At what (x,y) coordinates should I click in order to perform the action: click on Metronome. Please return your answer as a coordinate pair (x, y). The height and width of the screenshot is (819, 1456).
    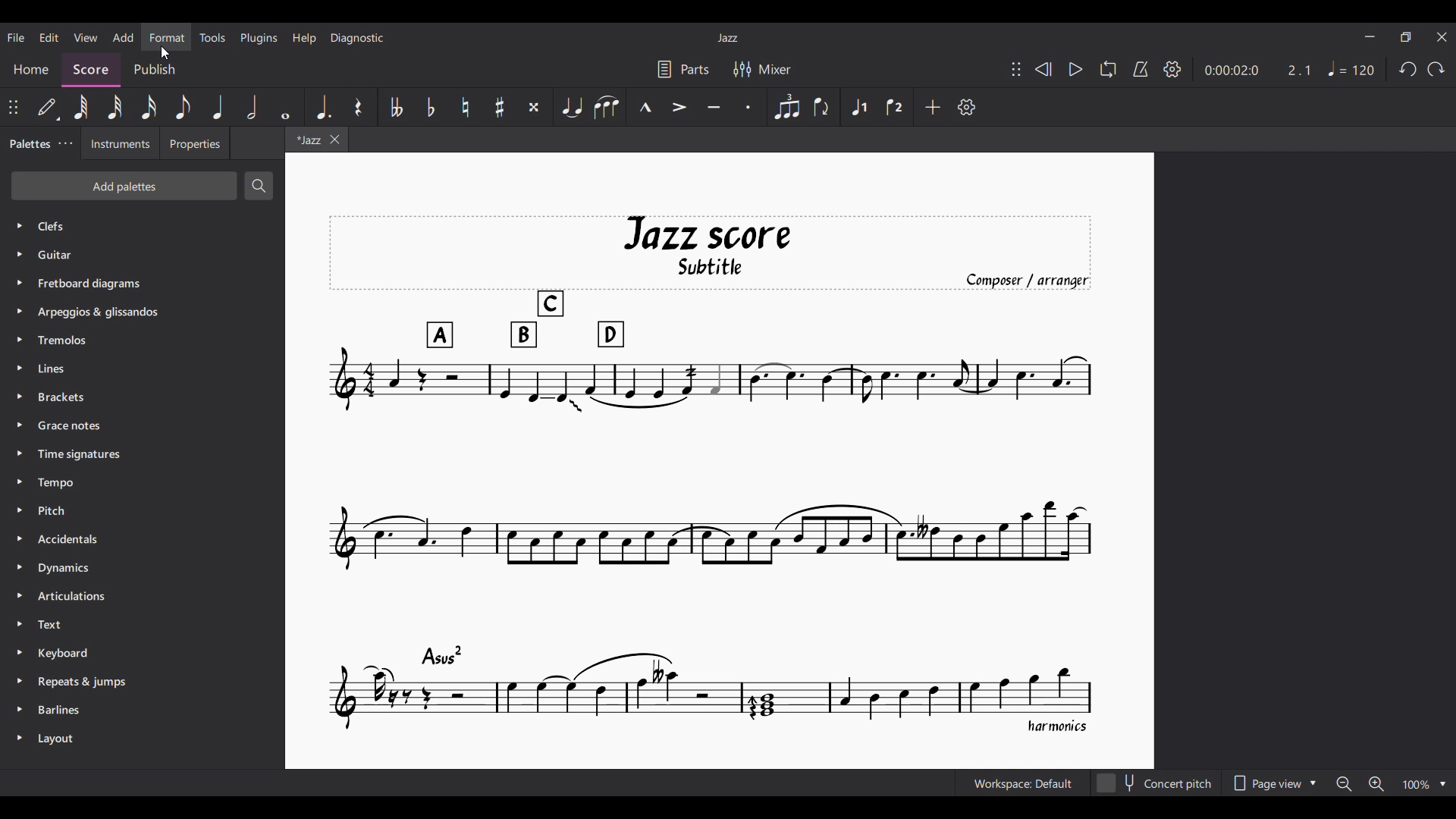
    Looking at the image, I should click on (1141, 69).